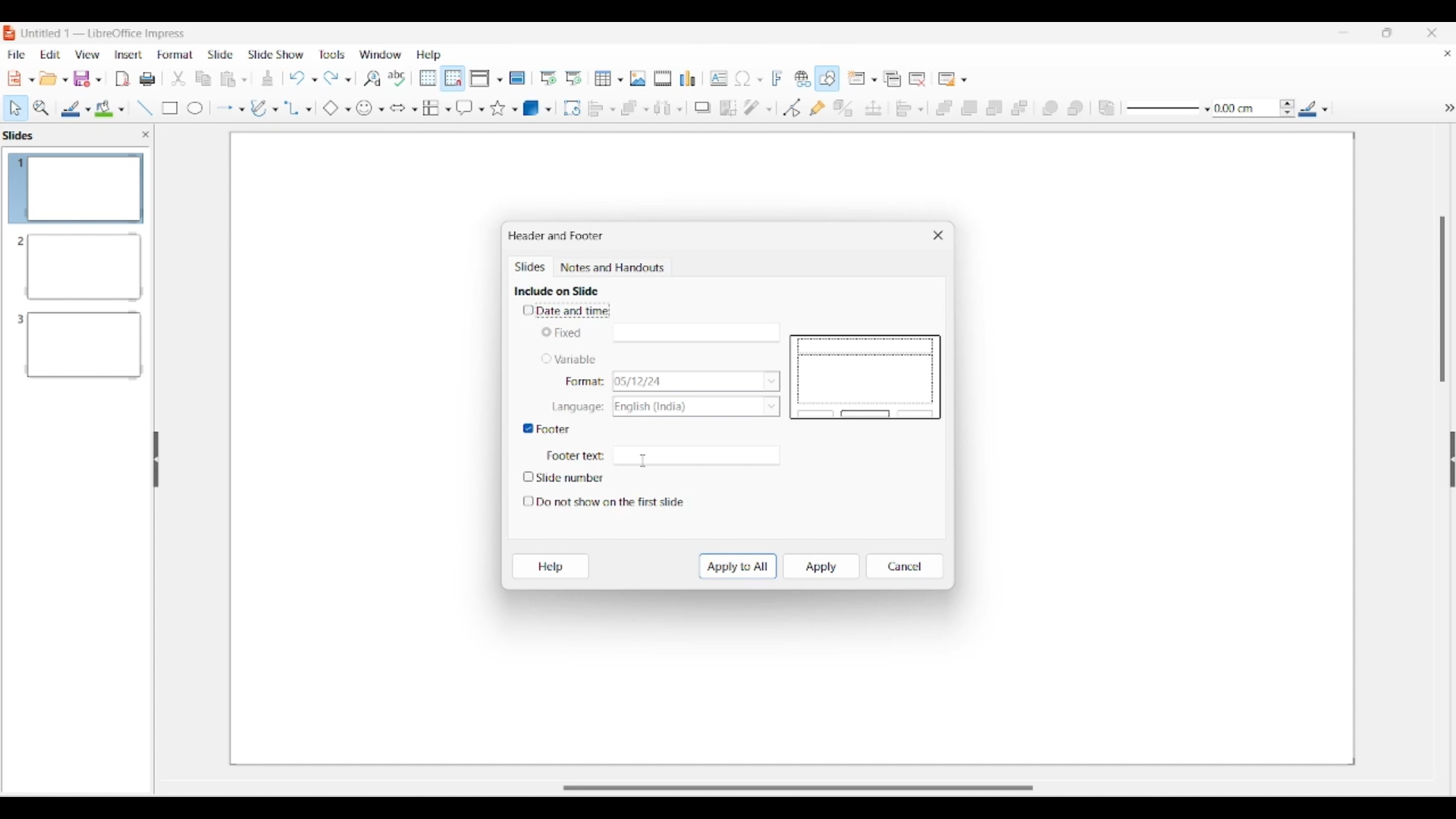 This screenshot has width=1456, height=819. Describe the element at coordinates (404, 108) in the screenshot. I see `Block arrow options` at that location.